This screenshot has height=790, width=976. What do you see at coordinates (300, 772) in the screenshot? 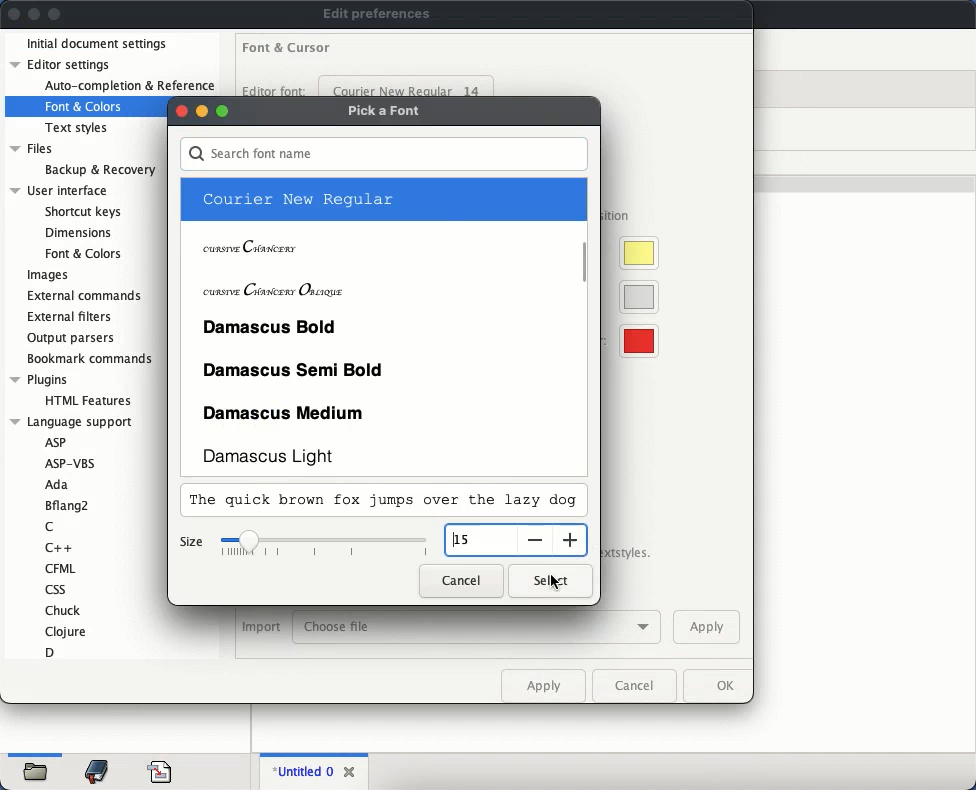
I see `untitled` at bounding box center [300, 772].